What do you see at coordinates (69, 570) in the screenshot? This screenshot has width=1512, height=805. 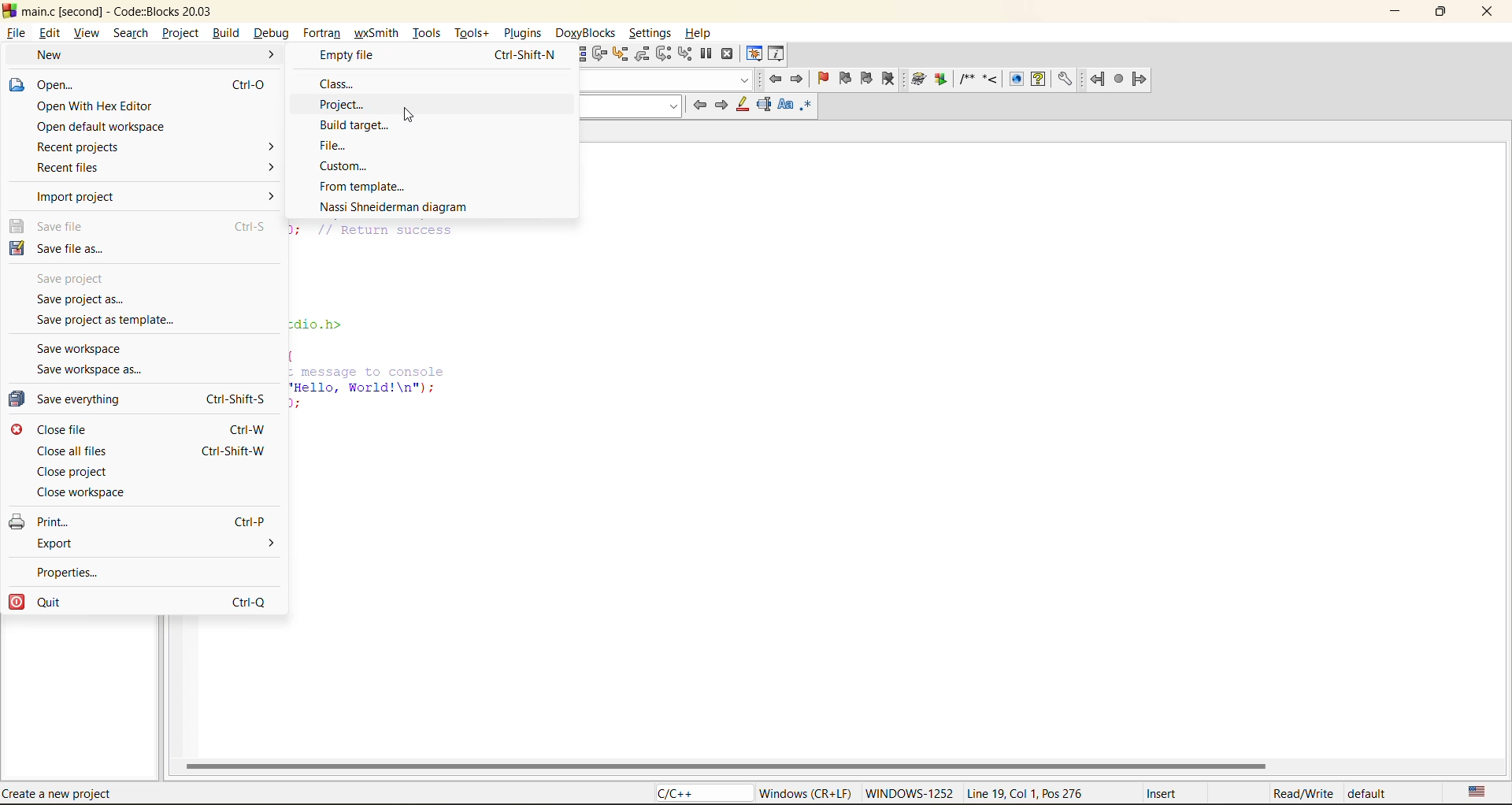 I see `properties` at bounding box center [69, 570].